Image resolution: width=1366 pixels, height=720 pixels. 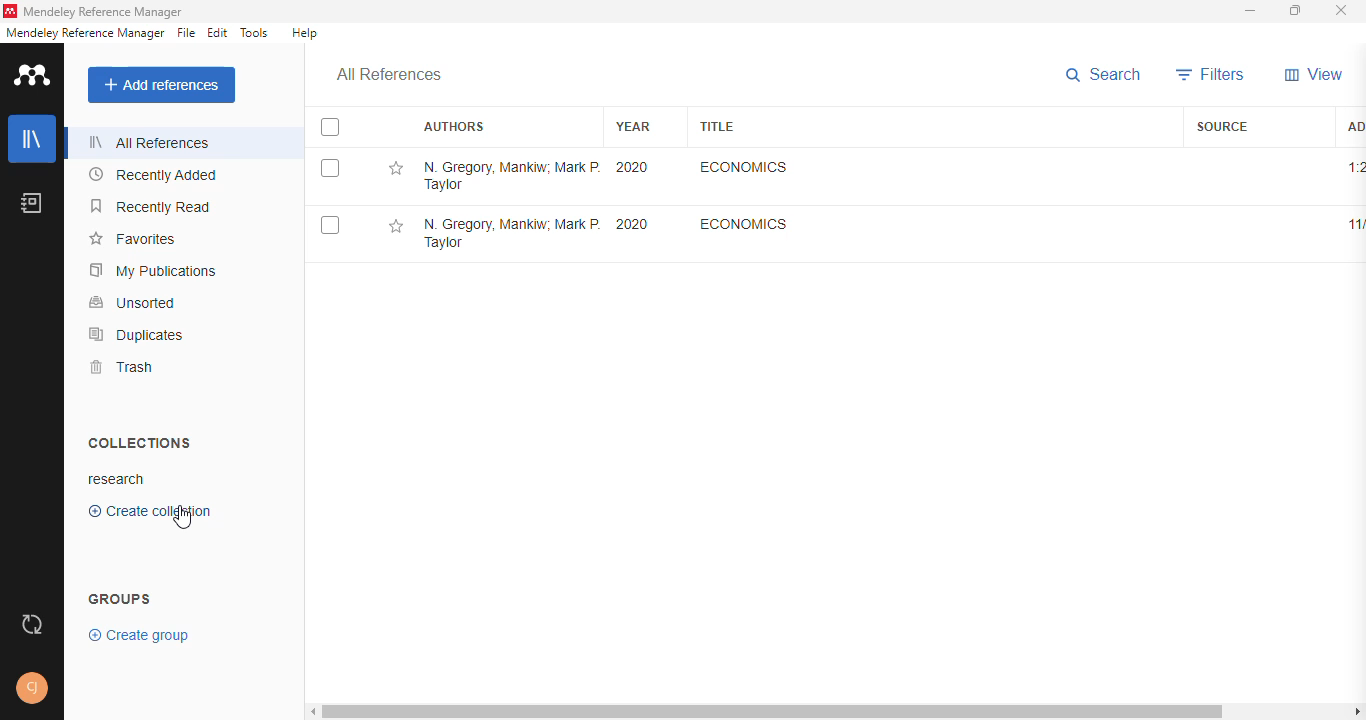 I want to click on close, so click(x=1342, y=10).